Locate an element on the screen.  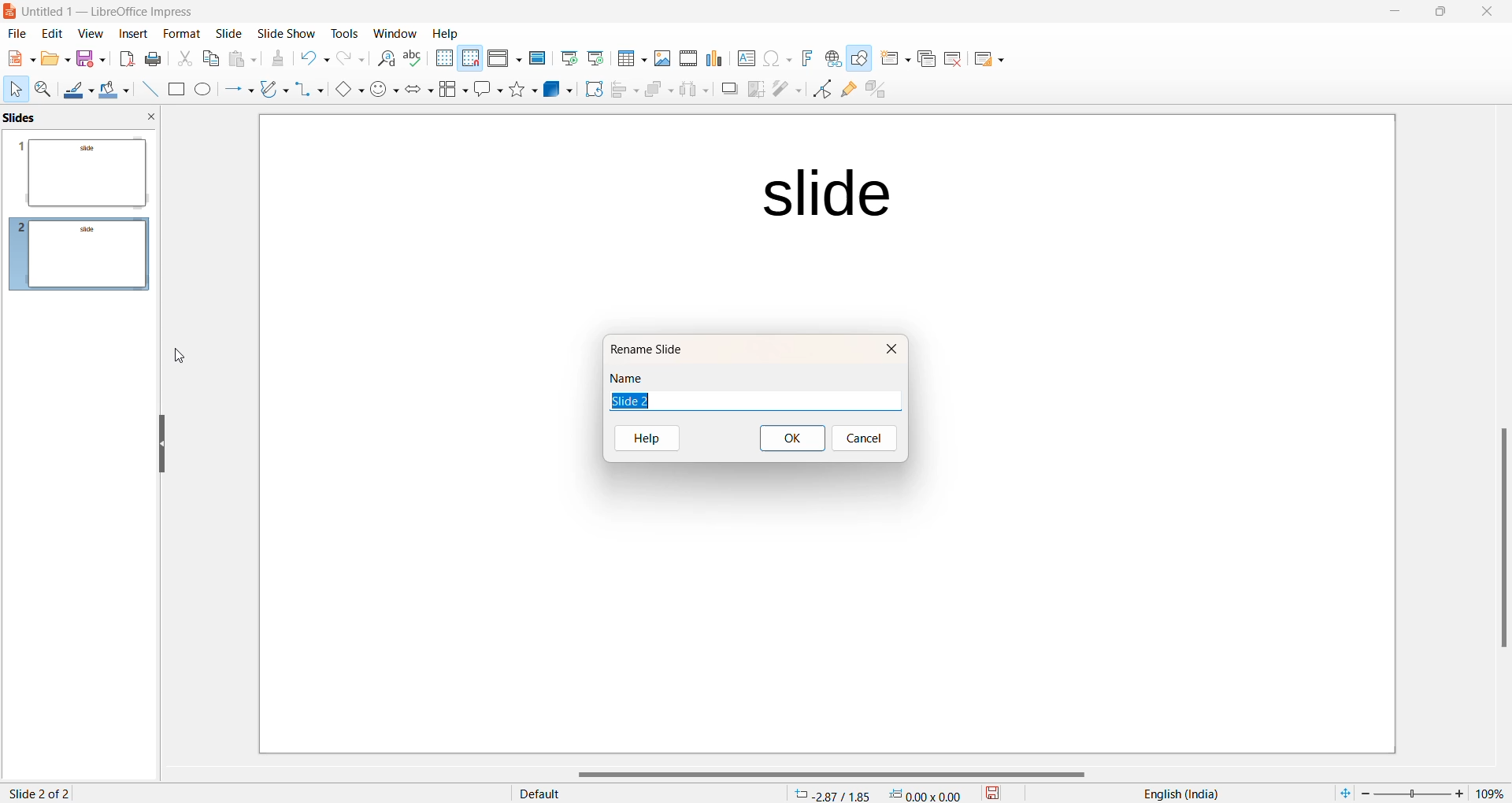
Line is located at coordinates (145, 90).